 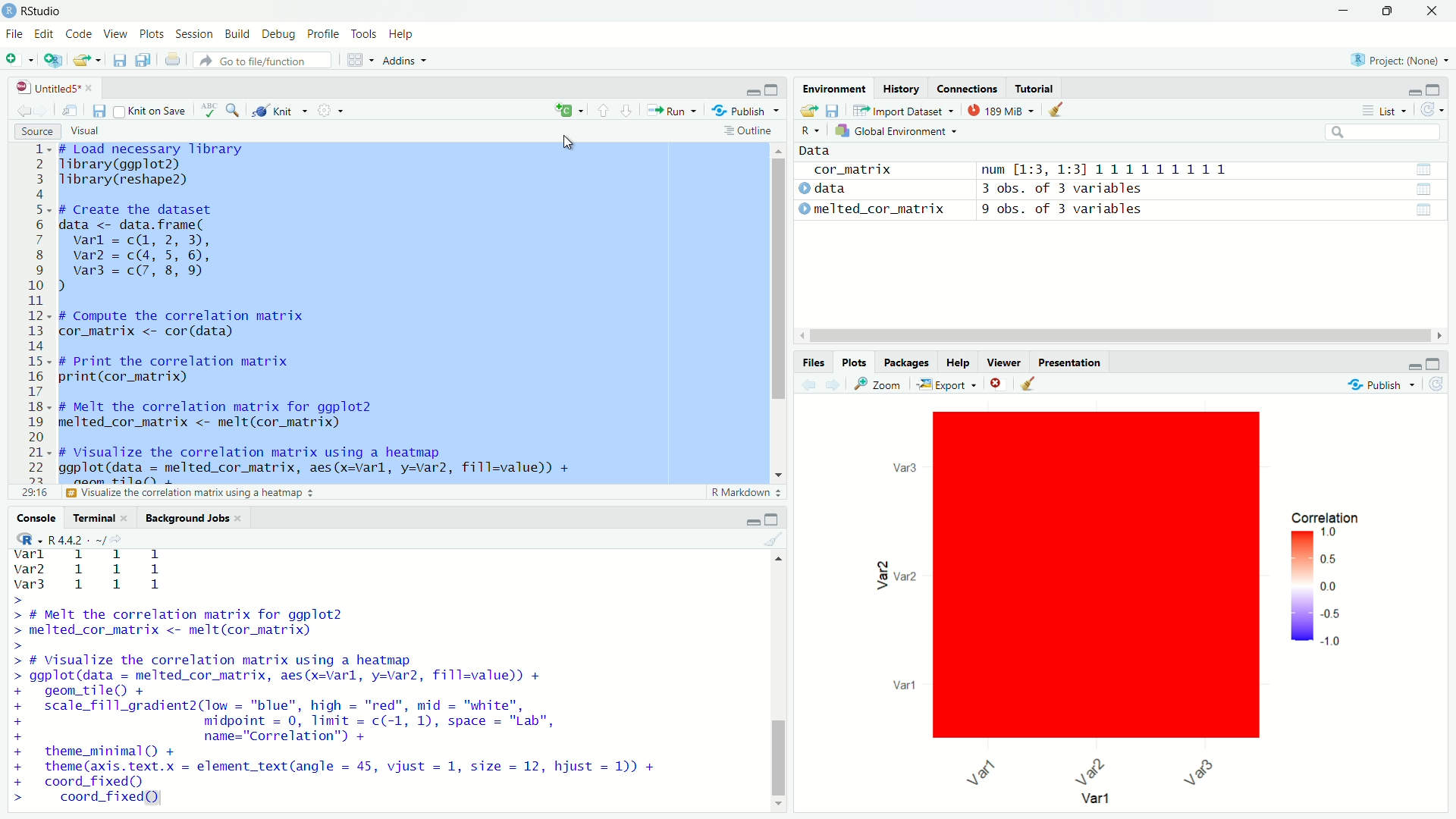 What do you see at coordinates (948, 384) in the screenshot?
I see `export` at bounding box center [948, 384].